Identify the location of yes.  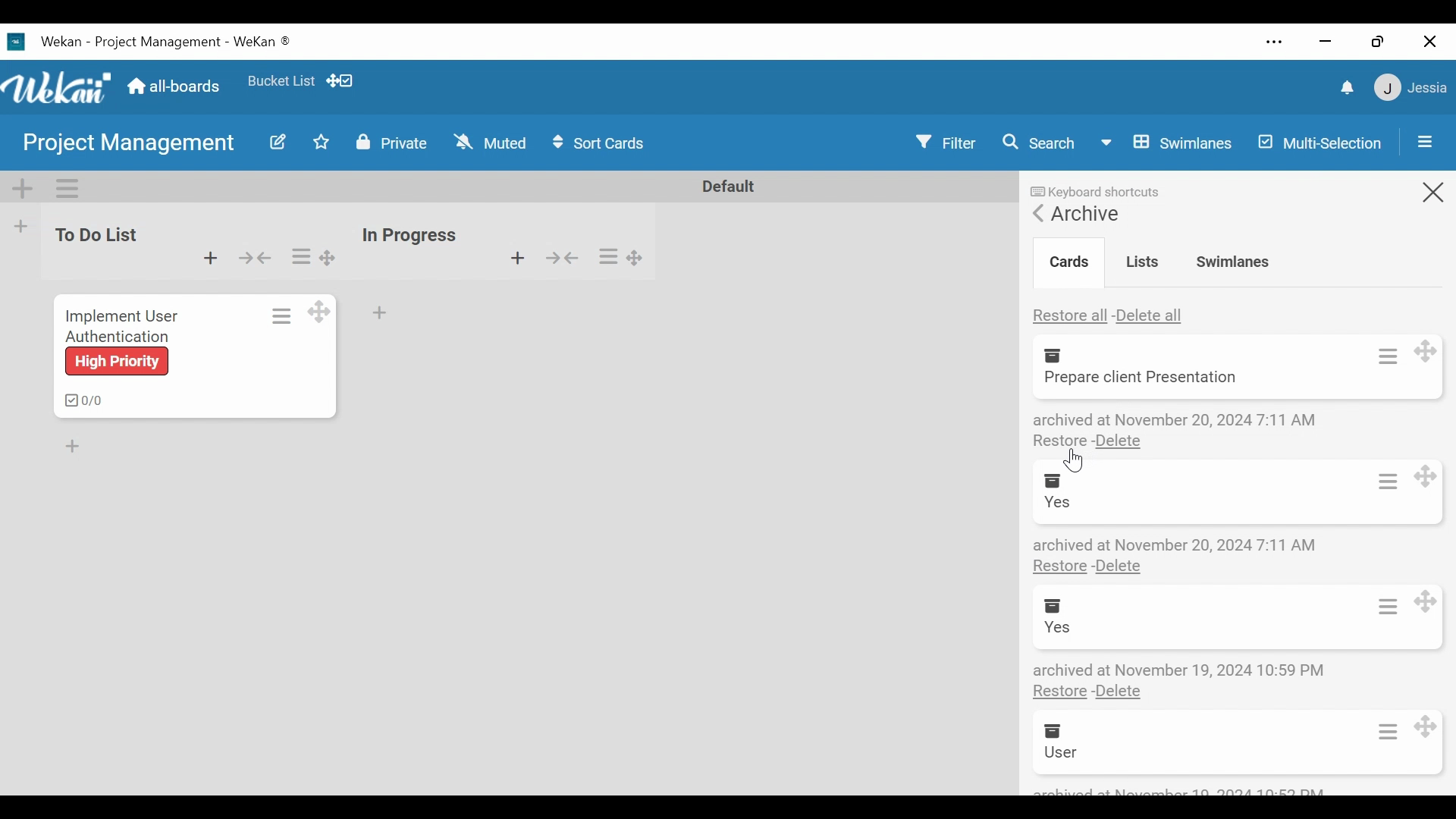
(1060, 503).